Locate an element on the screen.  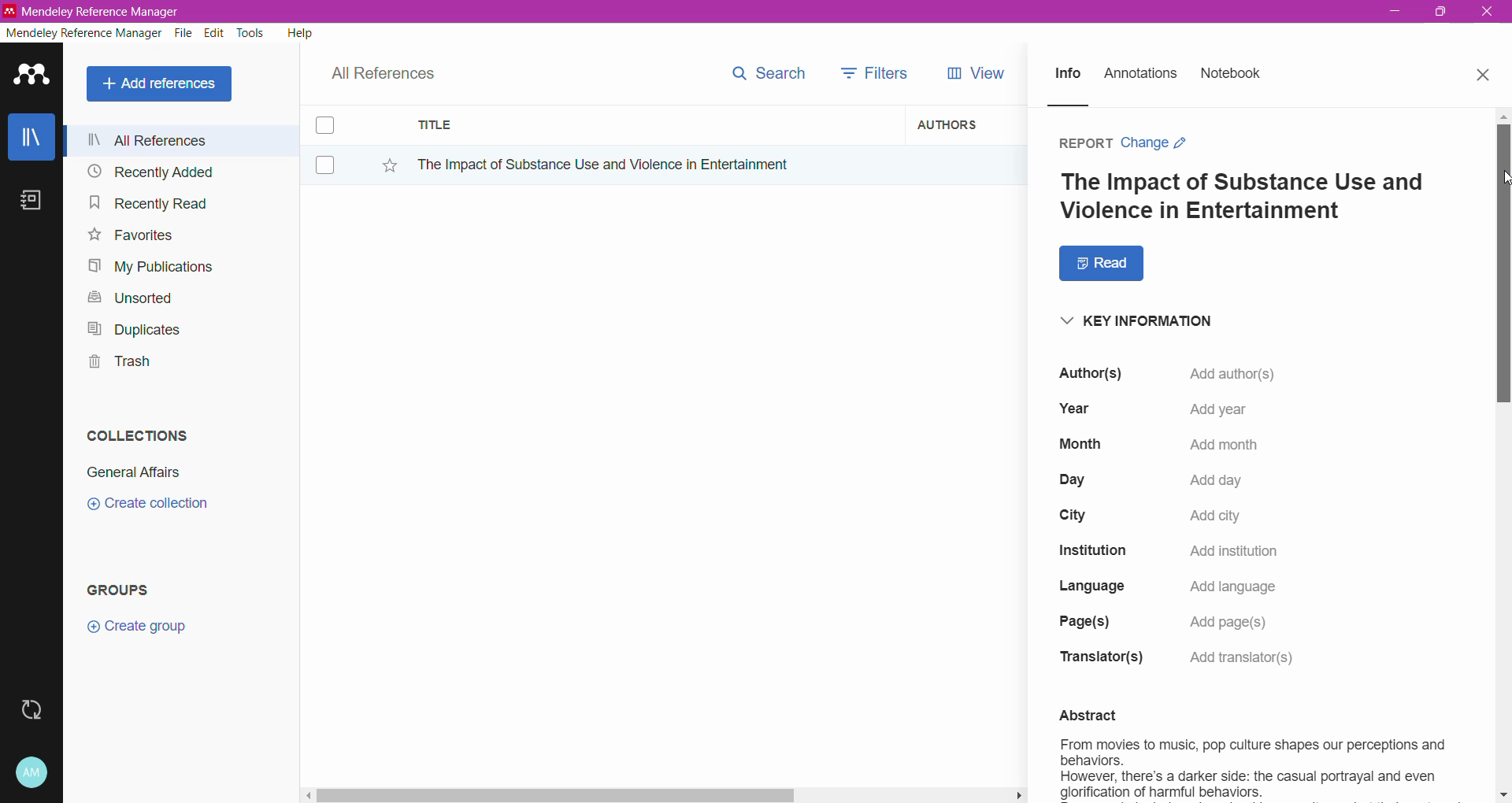
scroll bar is located at coordinates (1500, 257).